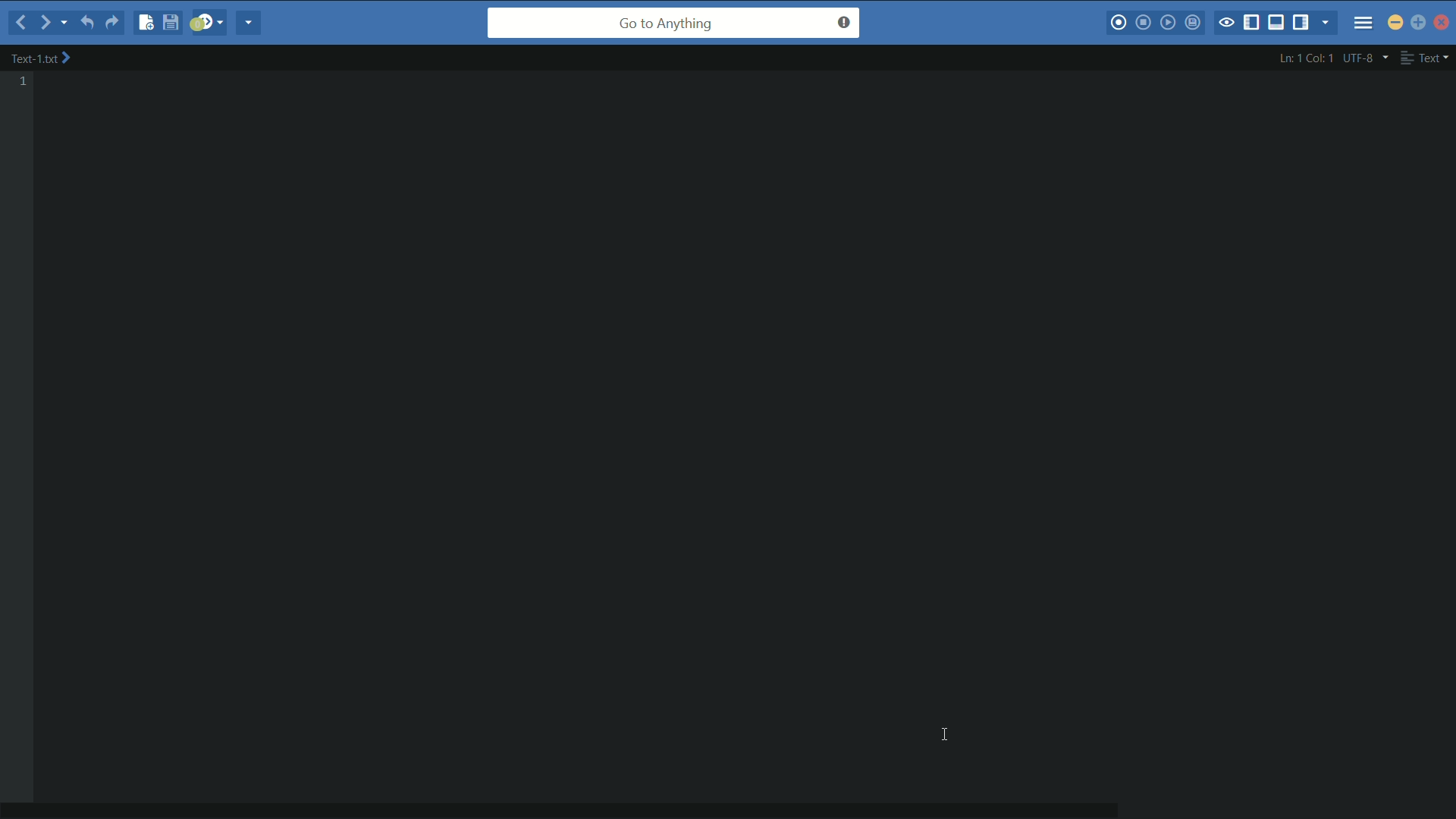  I want to click on file format, so click(1429, 57).